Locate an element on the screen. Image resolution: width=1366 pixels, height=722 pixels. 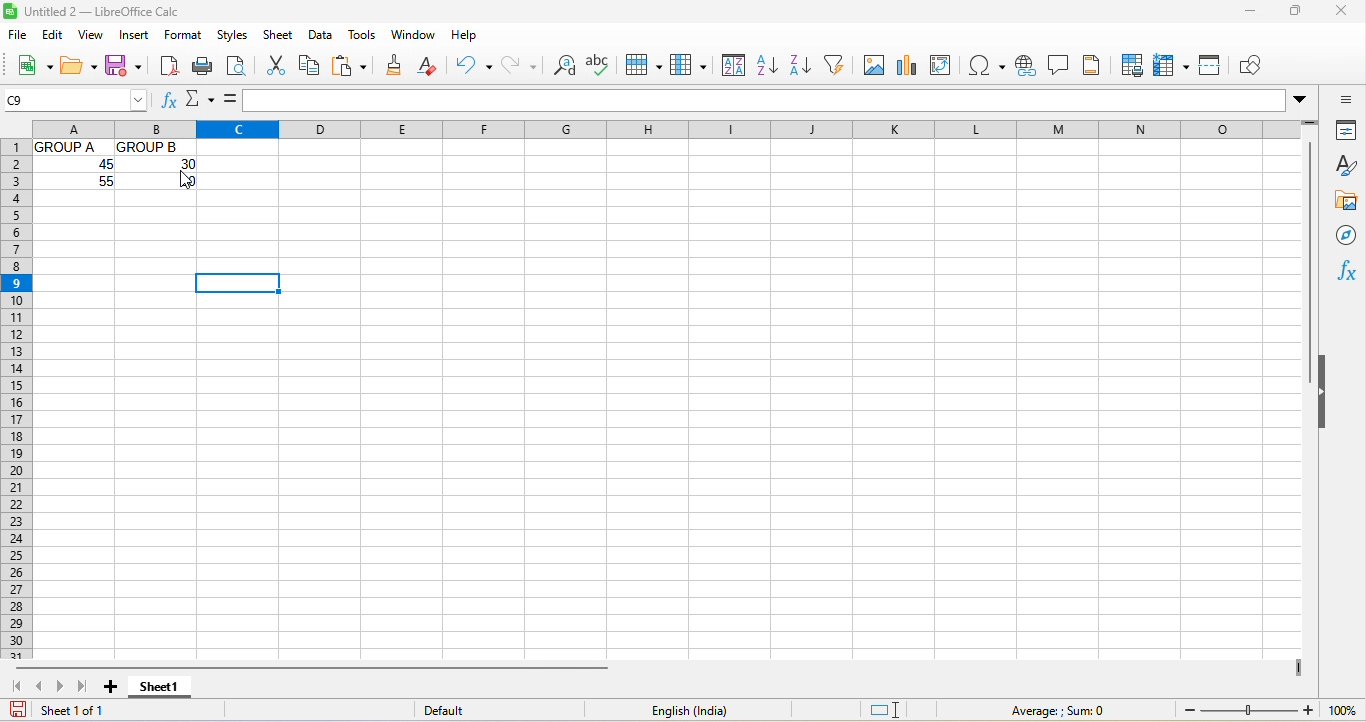
name box is located at coordinates (73, 100).